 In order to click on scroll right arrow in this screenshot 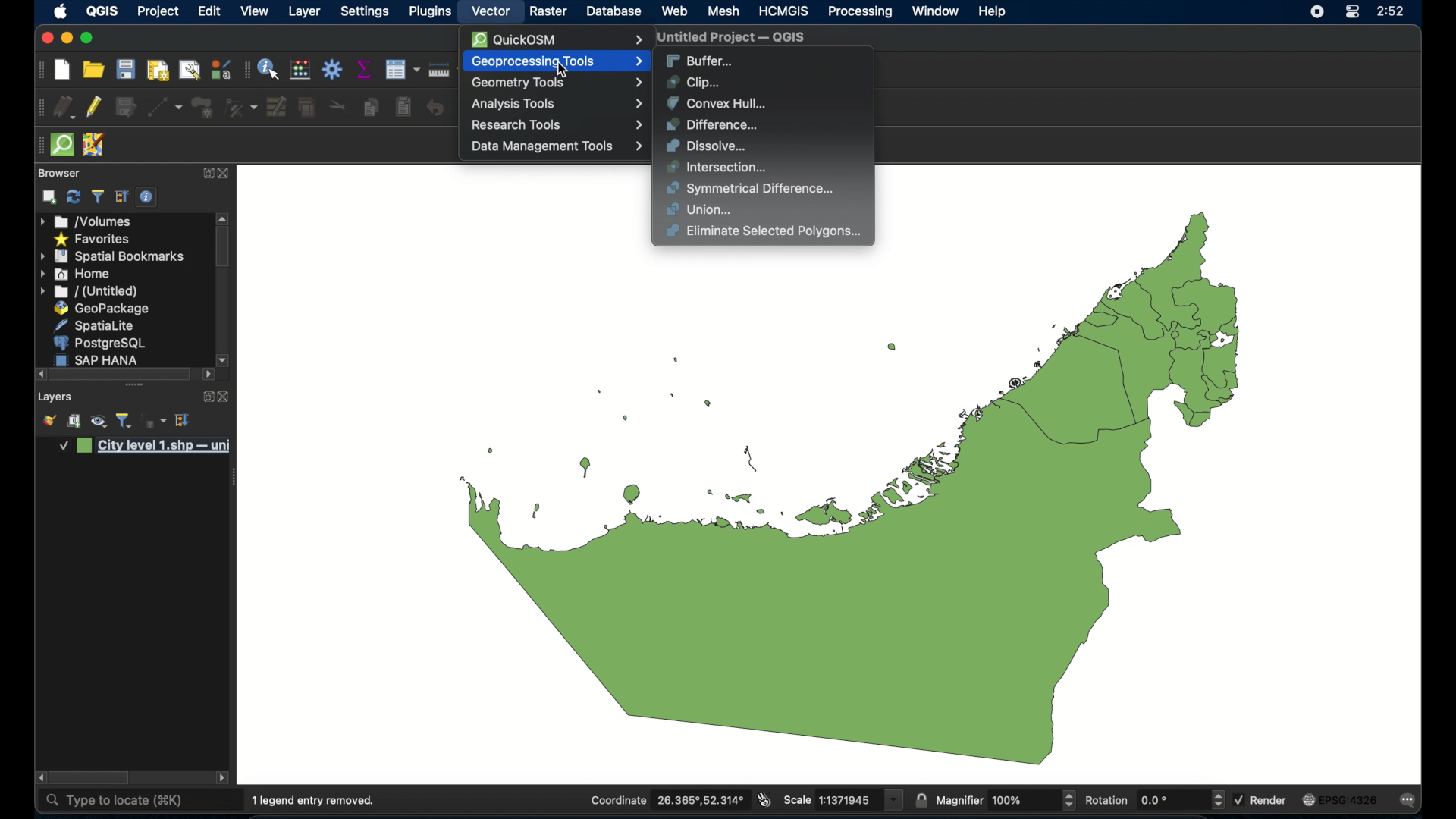, I will do `click(224, 359)`.